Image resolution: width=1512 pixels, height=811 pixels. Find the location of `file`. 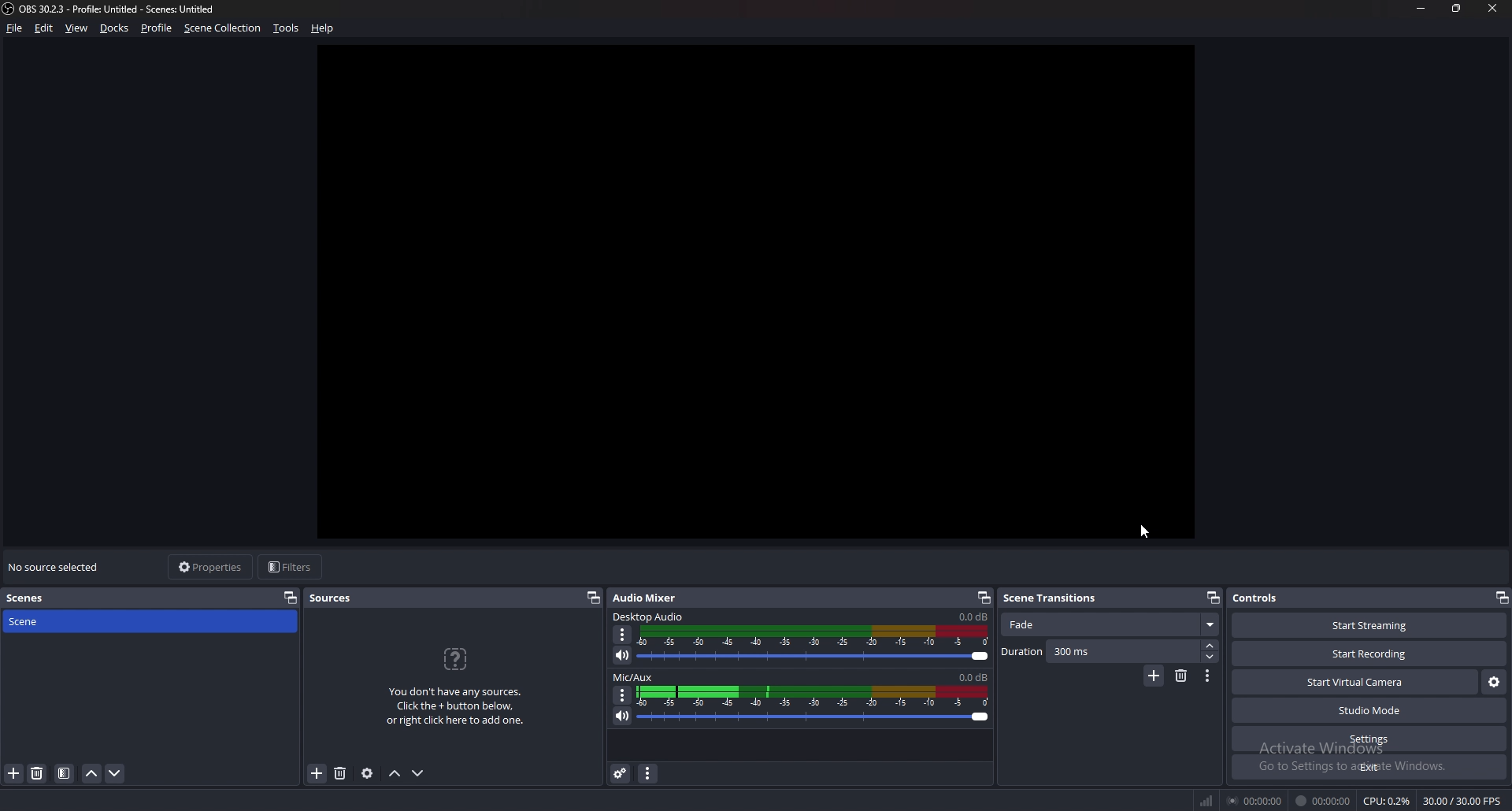

file is located at coordinates (16, 28).